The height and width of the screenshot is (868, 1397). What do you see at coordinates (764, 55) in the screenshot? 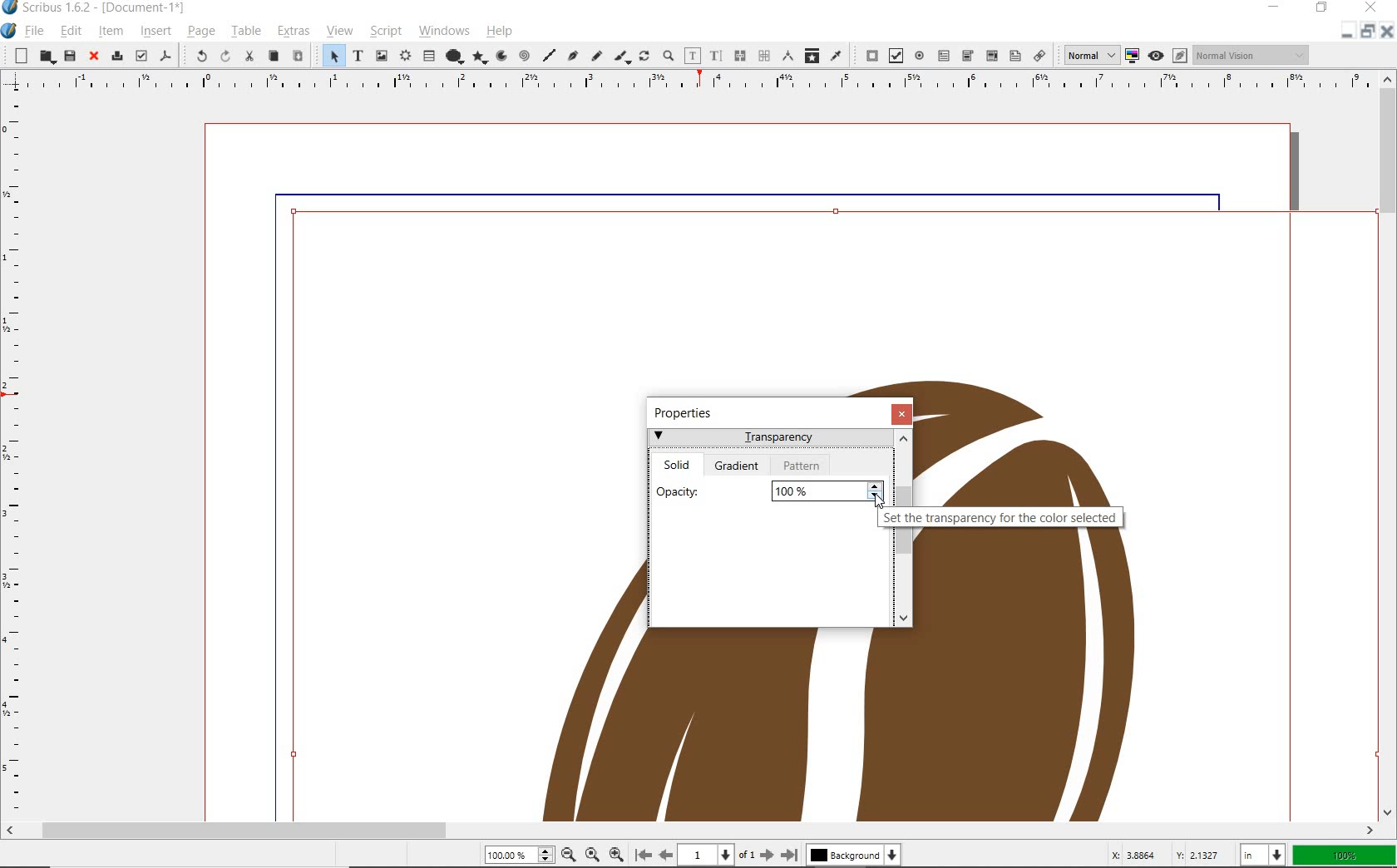
I see `unlink text frames` at bounding box center [764, 55].